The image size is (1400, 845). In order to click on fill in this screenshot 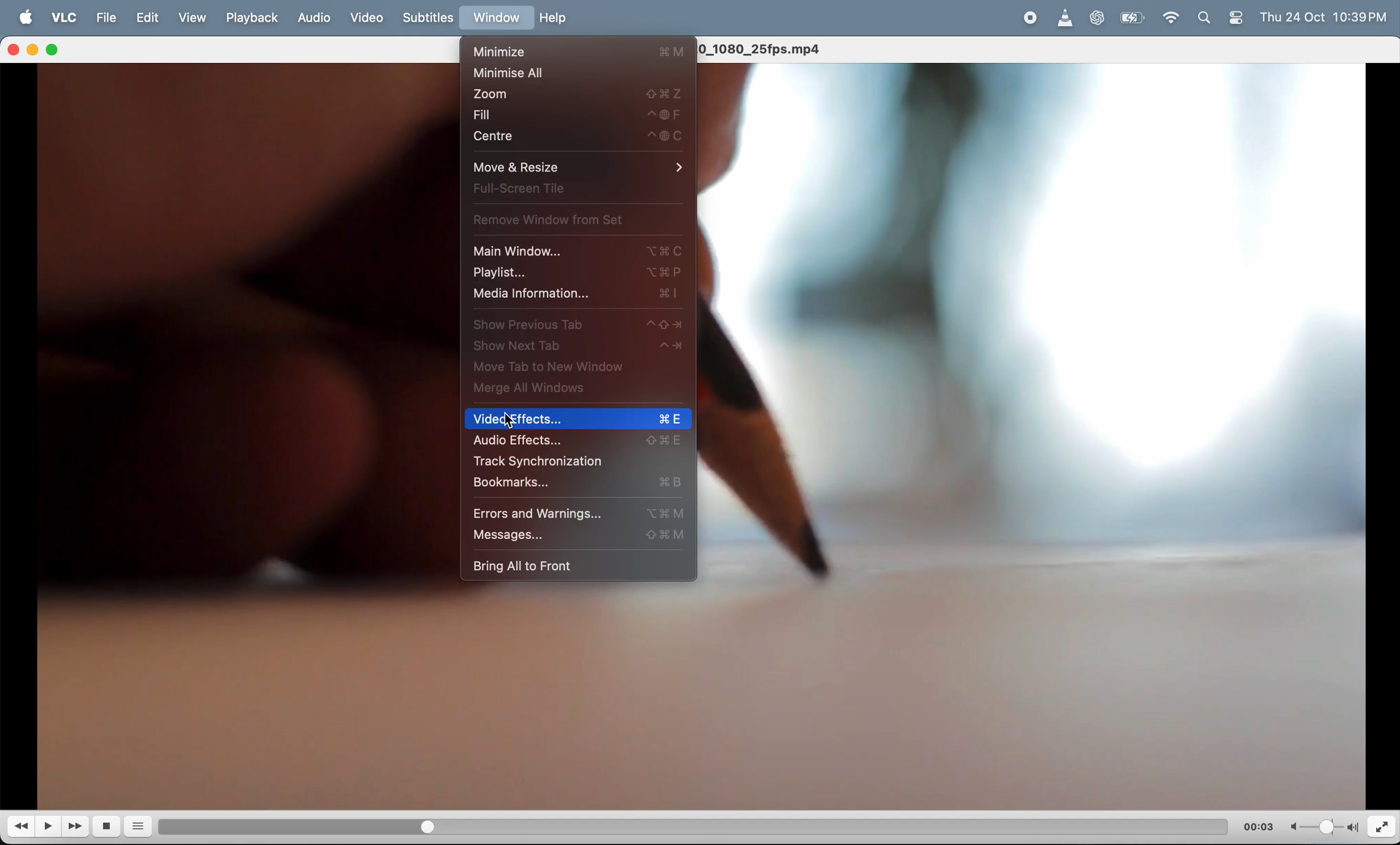, I will do `click(577, 115)`.